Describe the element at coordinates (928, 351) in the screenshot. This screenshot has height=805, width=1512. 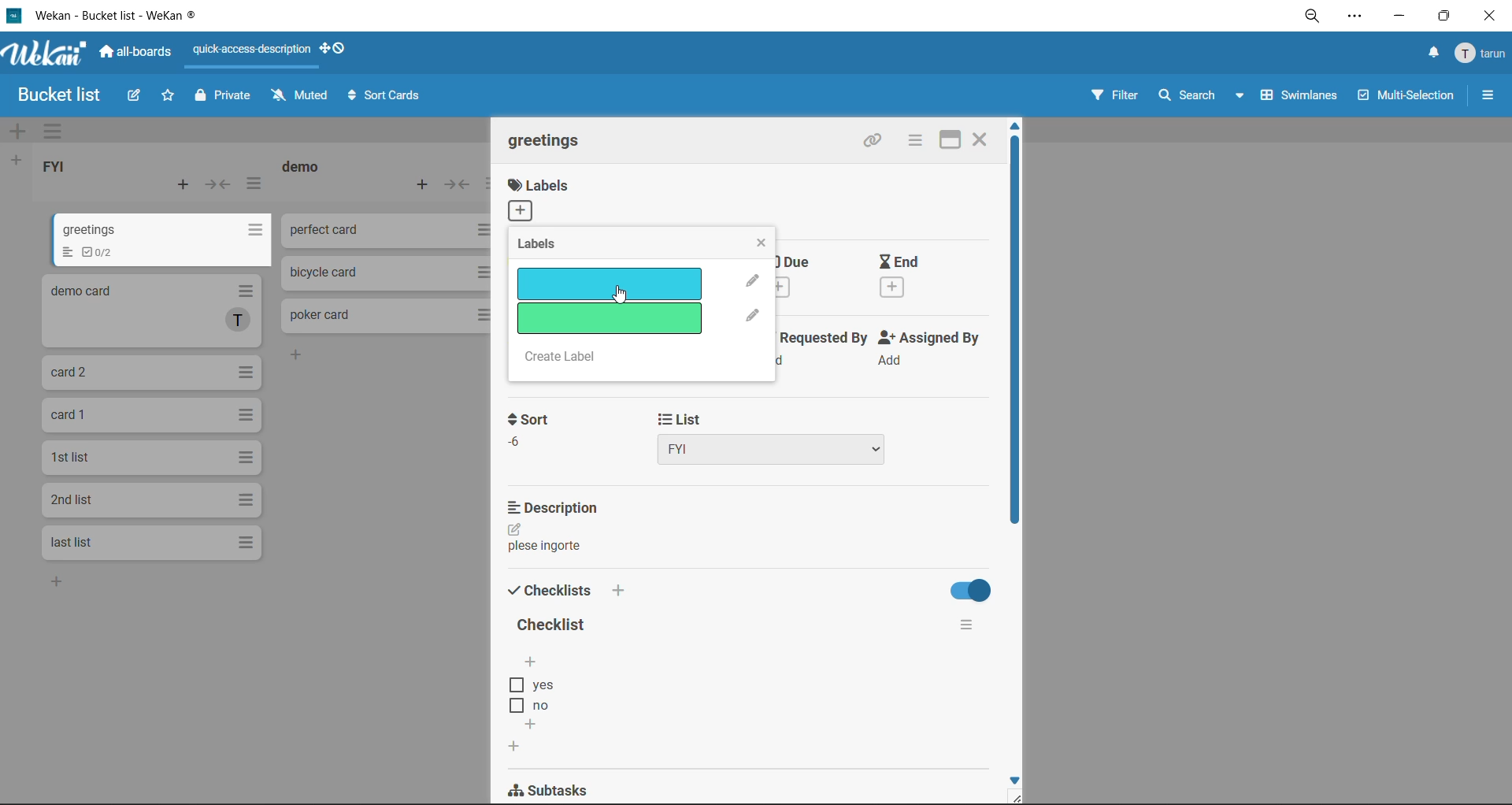
I see `assigned by` at that location.